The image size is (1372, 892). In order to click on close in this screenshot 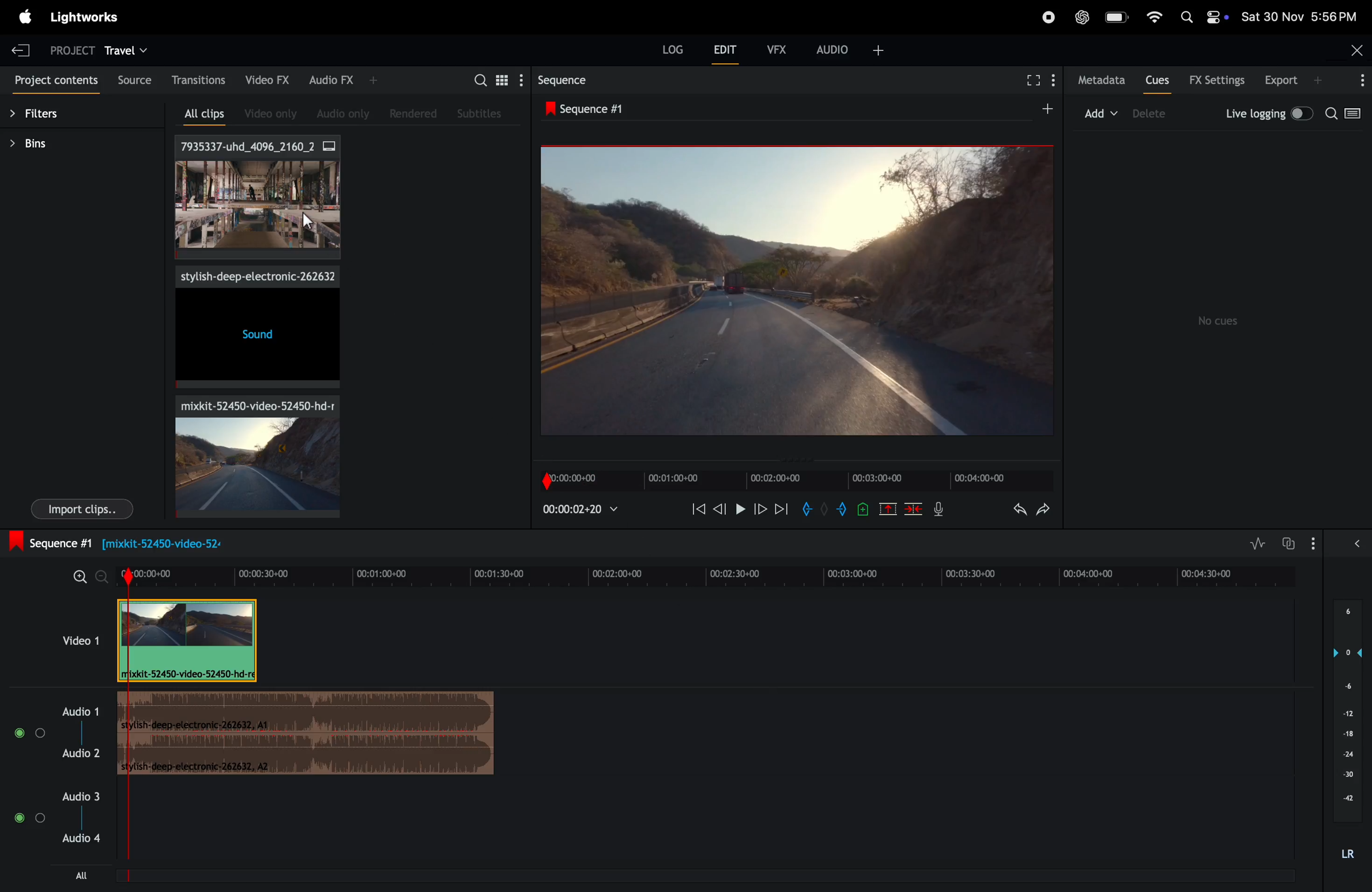, I will do `click(1356, 48)`.